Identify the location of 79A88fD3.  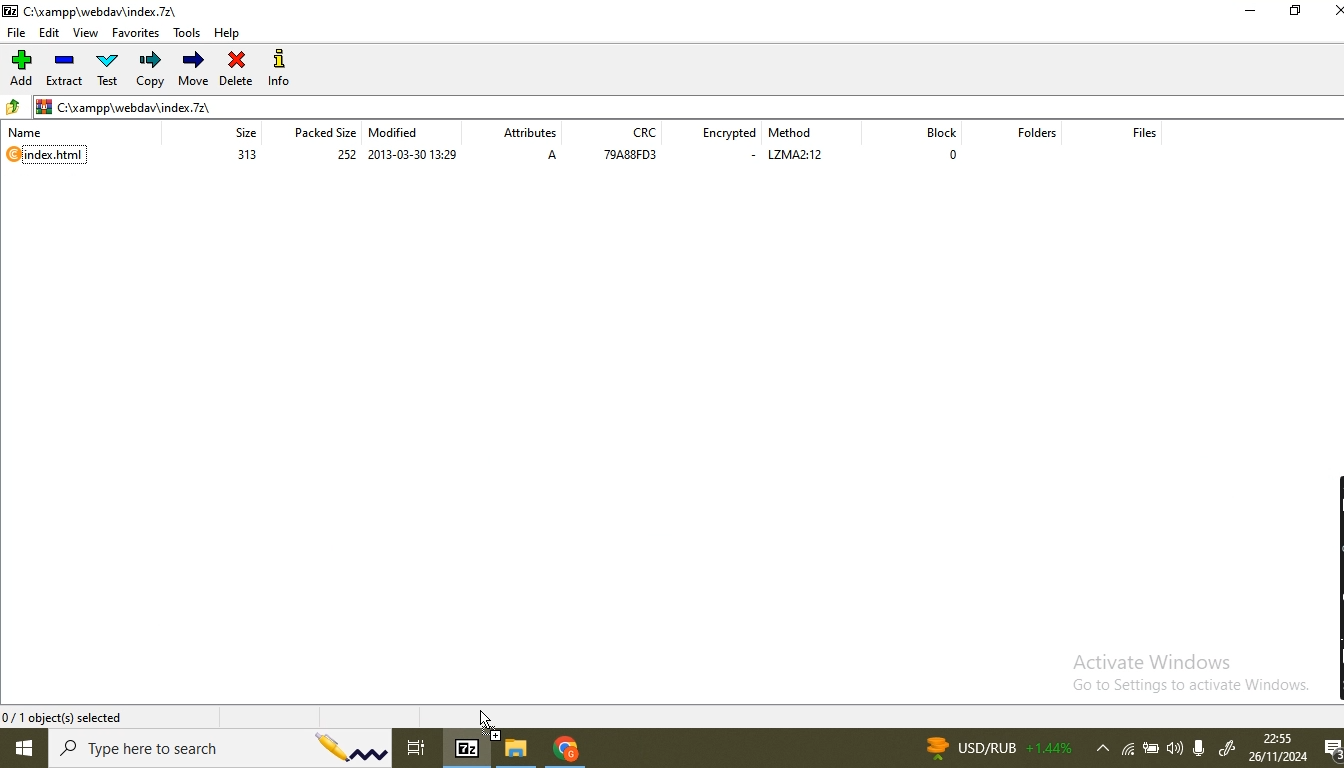
(633, 158).